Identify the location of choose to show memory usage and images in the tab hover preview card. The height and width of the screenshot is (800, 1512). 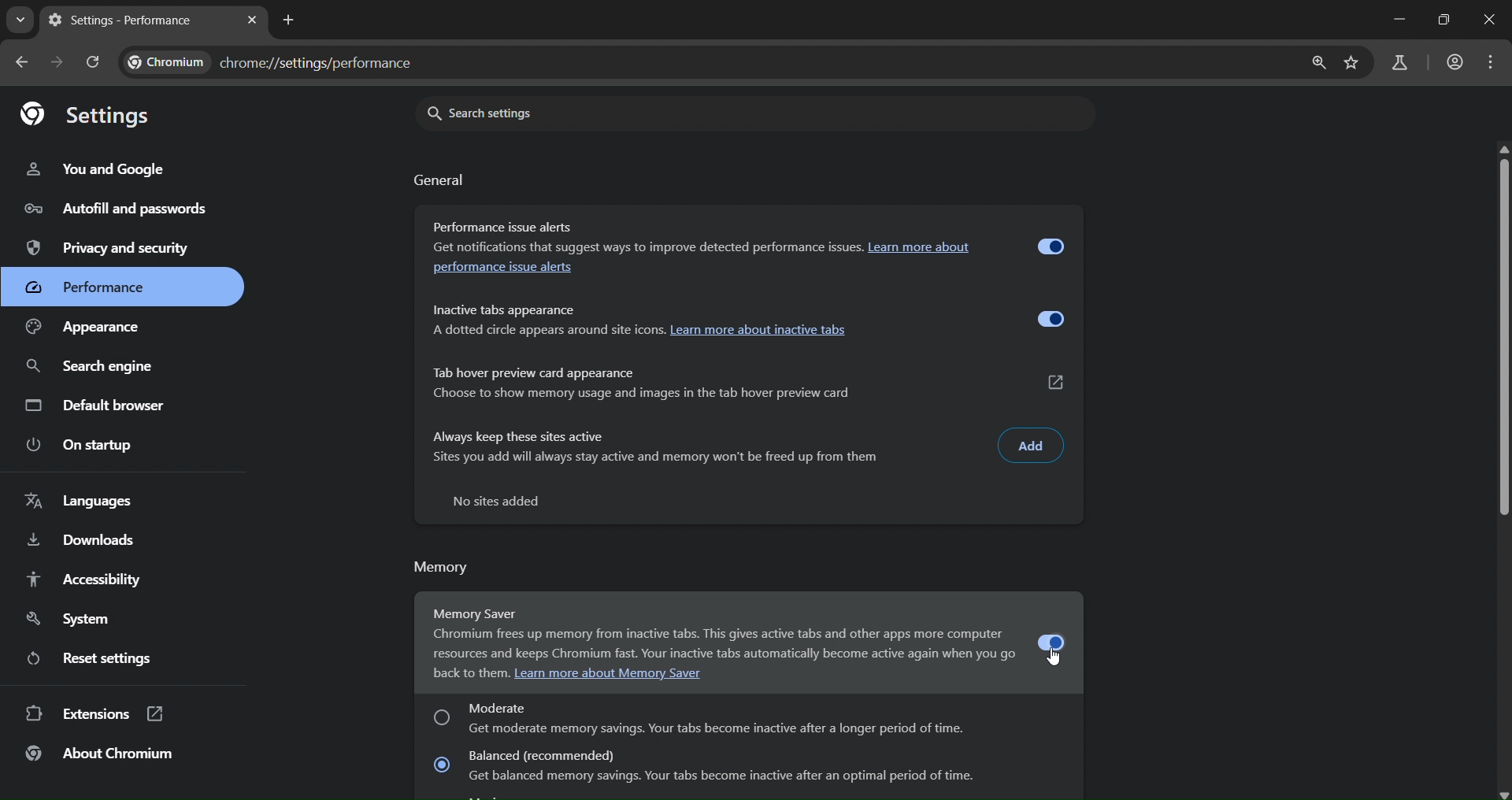
(641, 393).